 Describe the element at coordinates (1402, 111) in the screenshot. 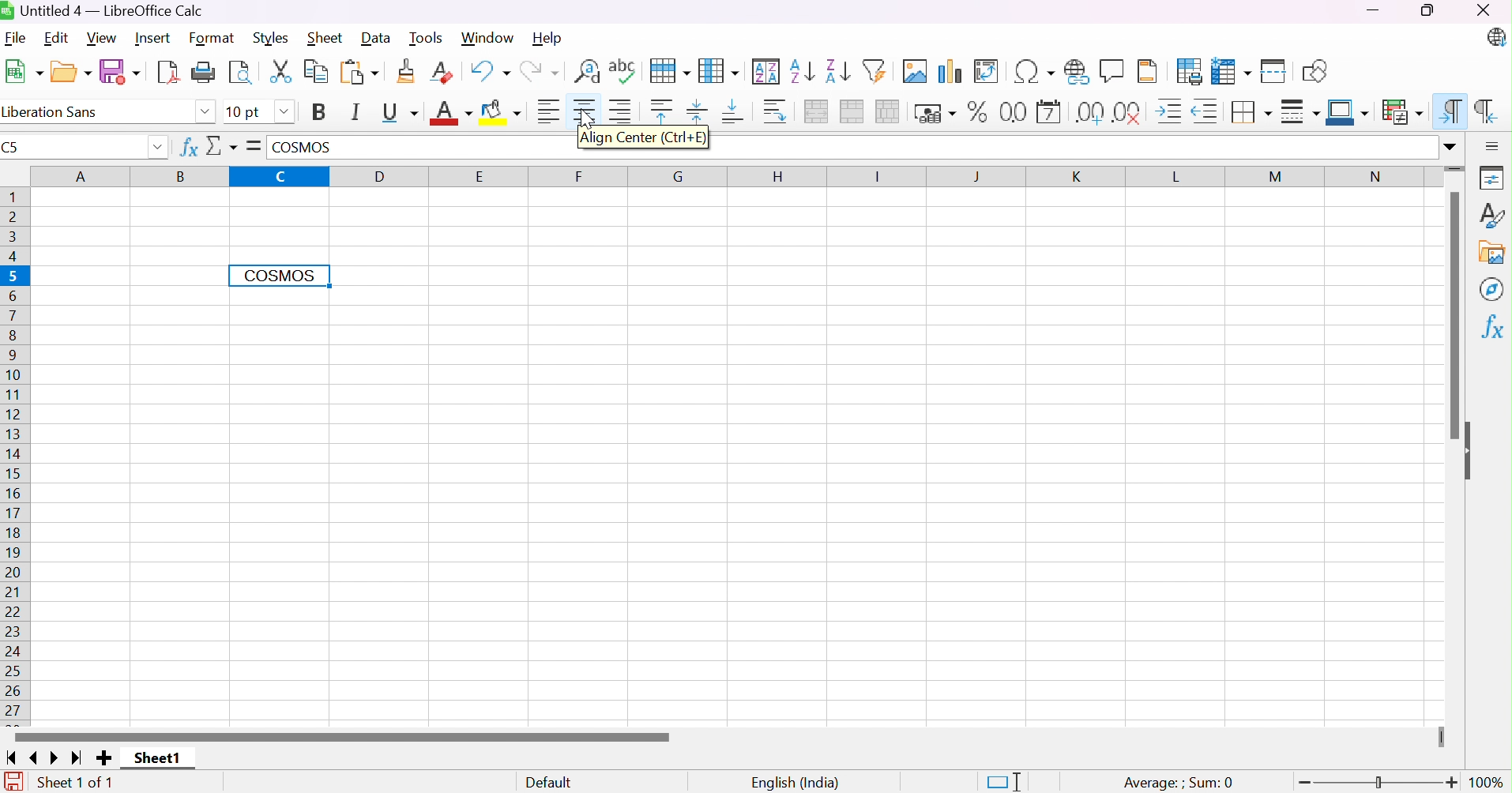

I see `Conditional` at that location.